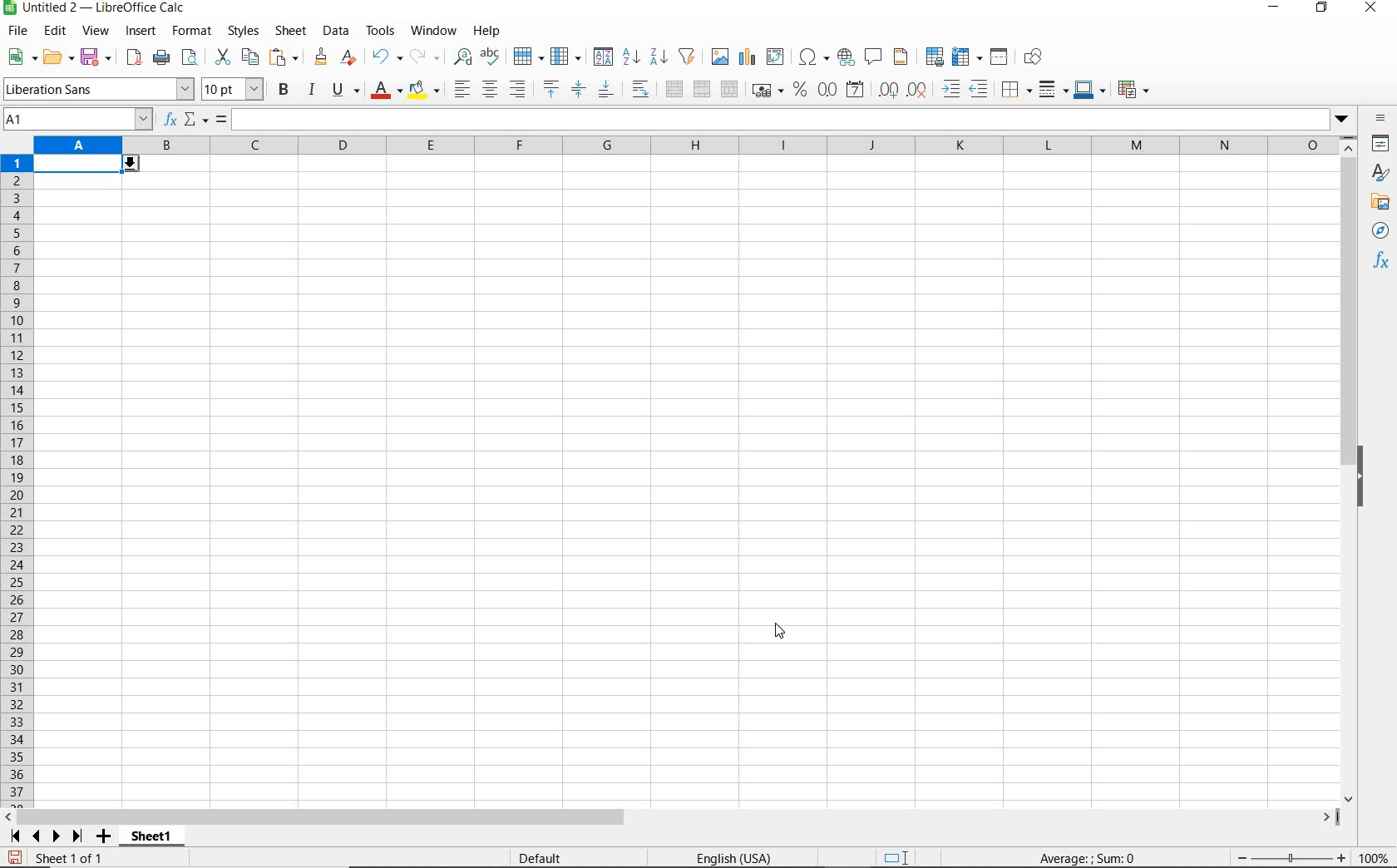 The width and height of the screenshot is (1397, 868). Describe the element at coordinates (382, 31) in the screenshot. I see `tools` at that location.